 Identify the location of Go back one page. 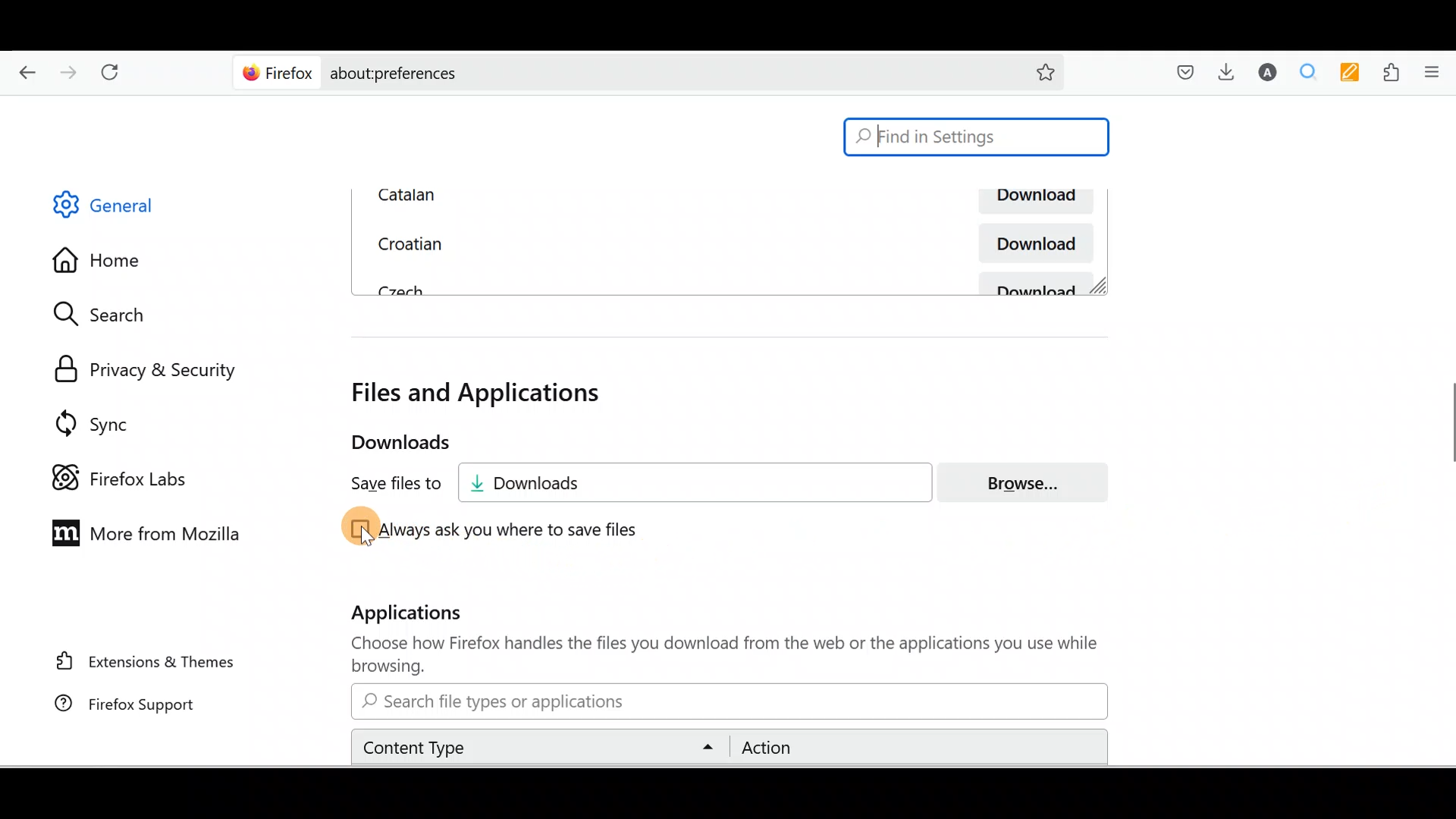
(23, 75).